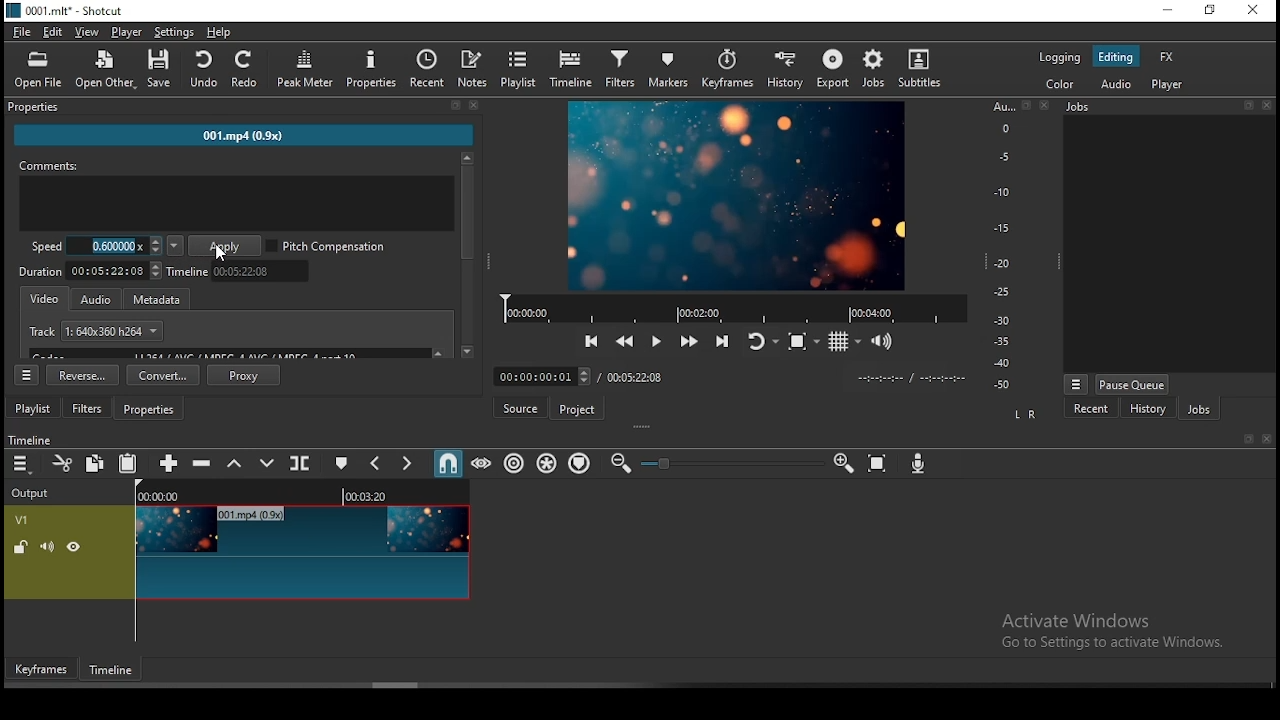 The image size is (1280, 720). Describe the element at coordinates (256, 137) in the screenshot. I see `001.mp4 (0.9x)` at that location.